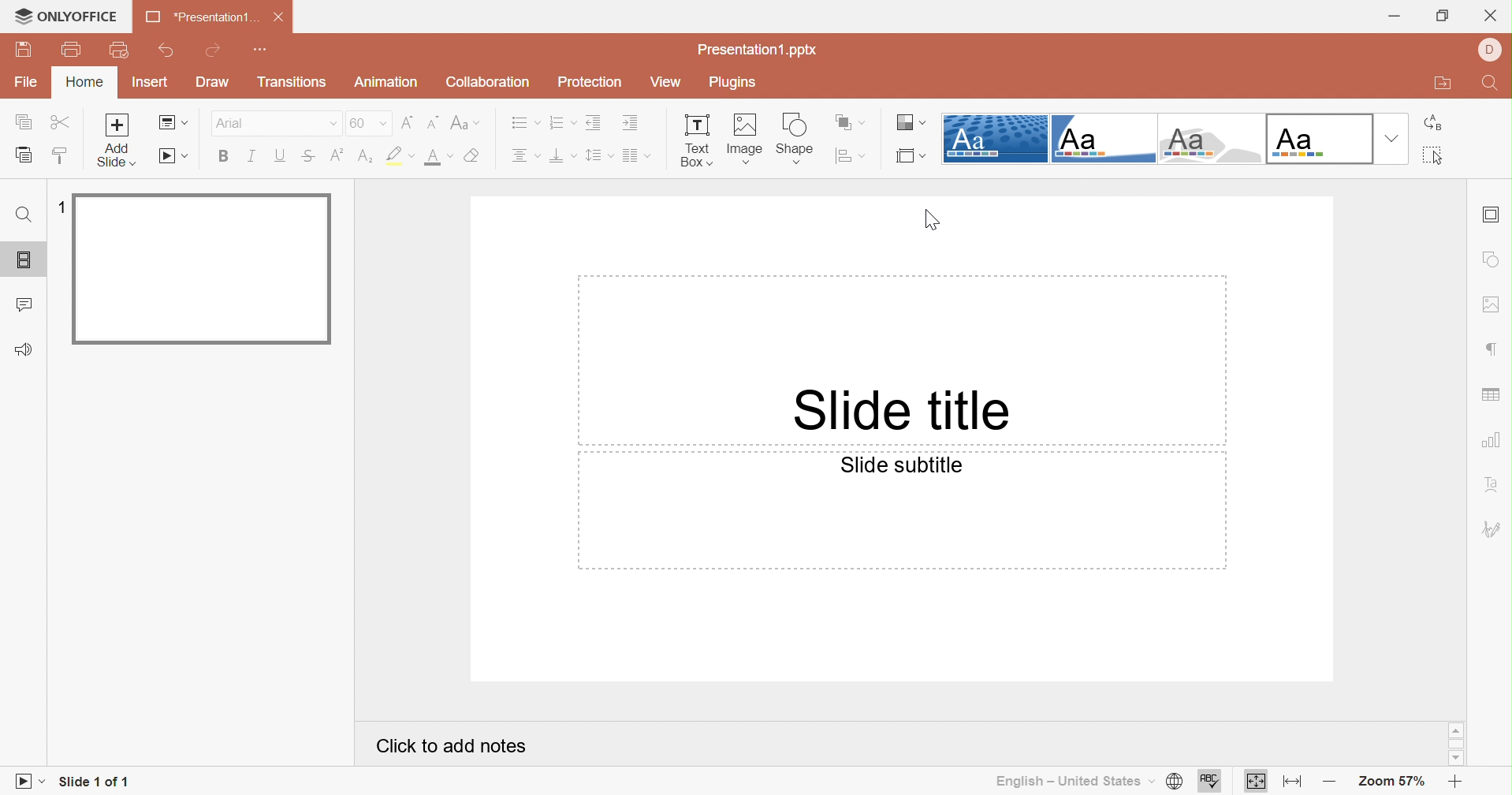 Image resolution: width=1512 pixels, height=795 pixels. Describe the element at coordinates (281, 17) in the screenshot. I see `Close` at that location.